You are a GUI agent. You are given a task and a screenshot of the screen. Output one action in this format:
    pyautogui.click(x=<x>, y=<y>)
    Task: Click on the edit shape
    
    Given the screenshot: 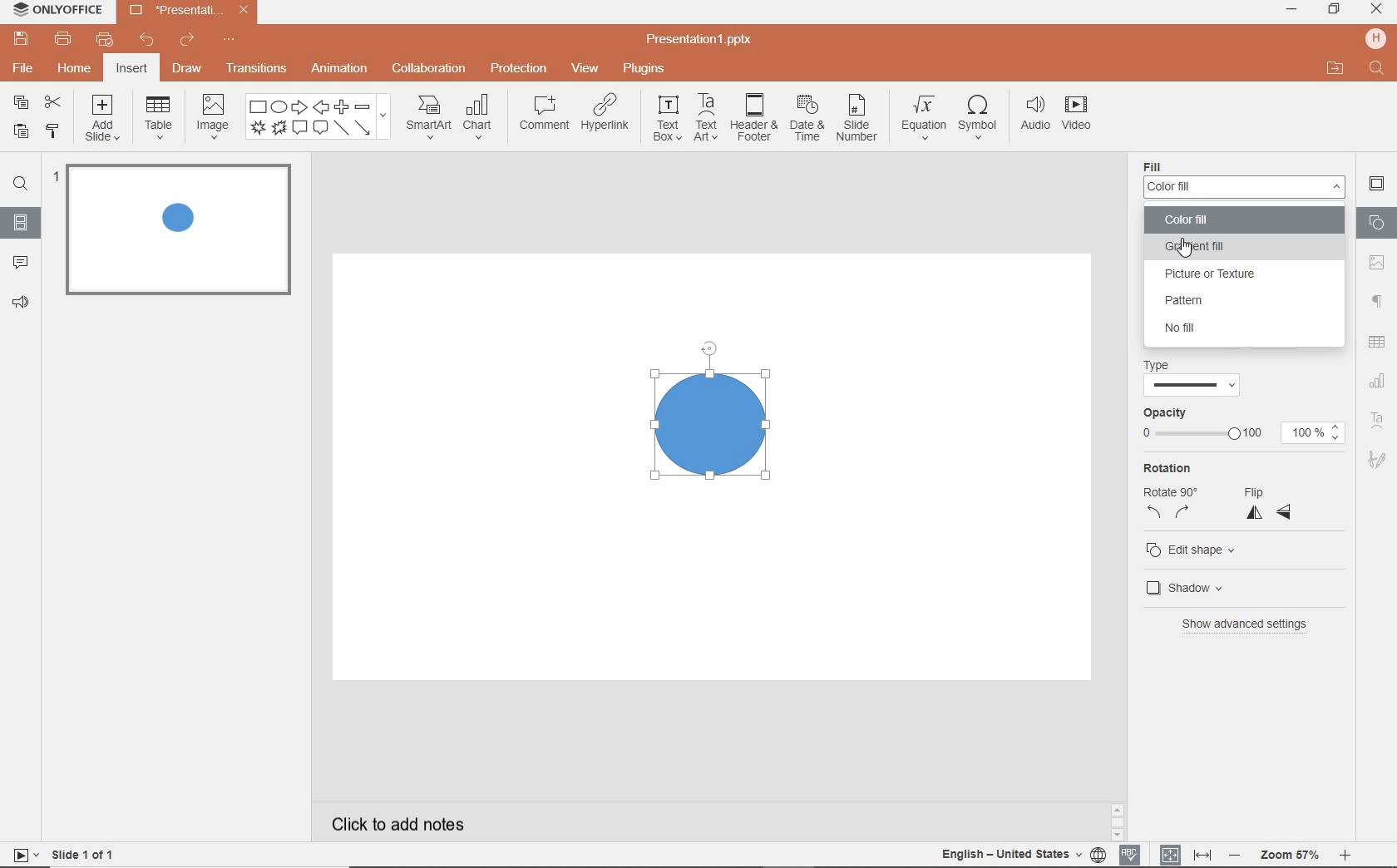 What is the action you would take?
    pyautogui.click(x=1195, y=550)
    